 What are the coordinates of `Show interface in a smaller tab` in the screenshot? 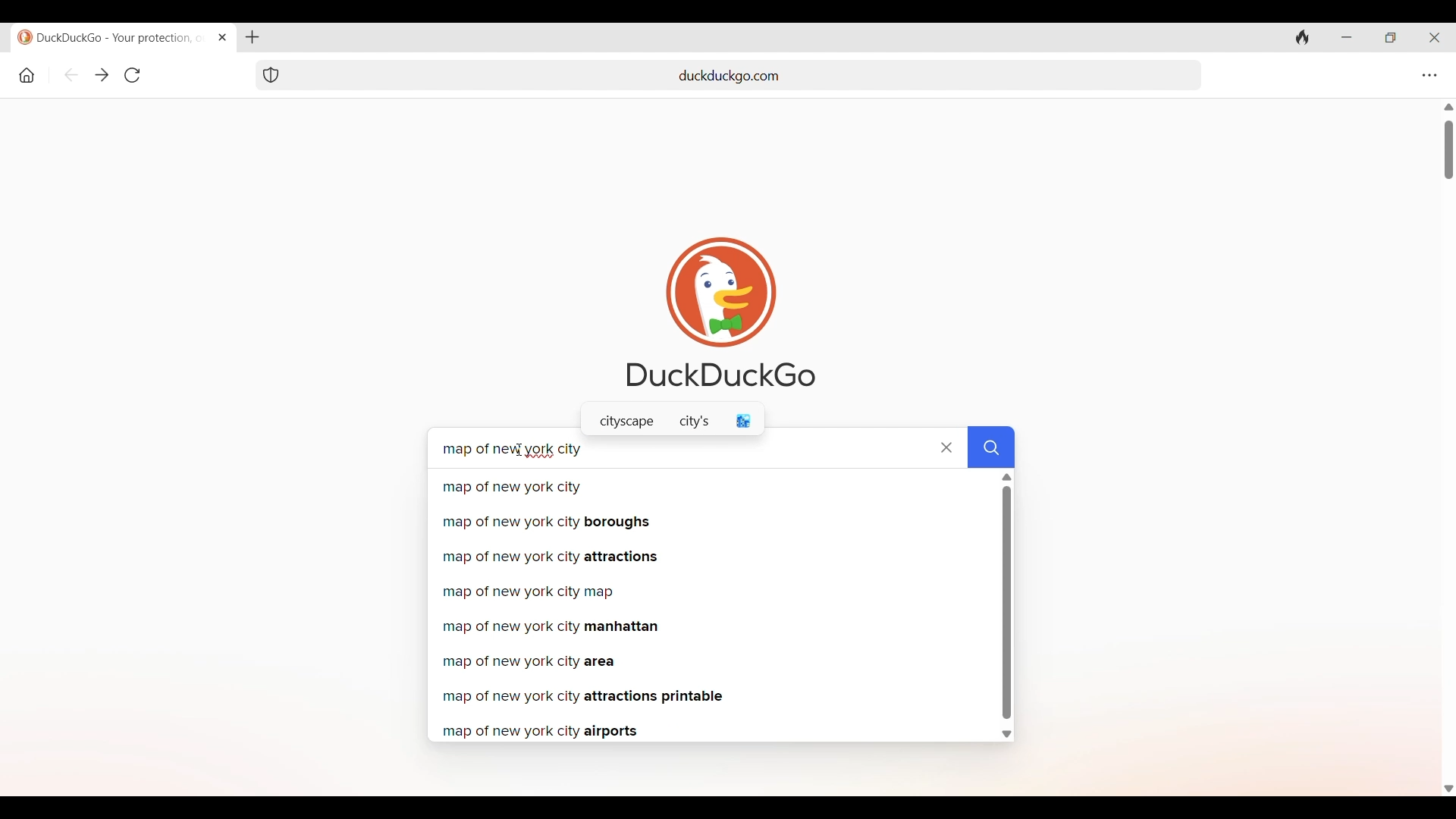 It's located at (1391, 37).